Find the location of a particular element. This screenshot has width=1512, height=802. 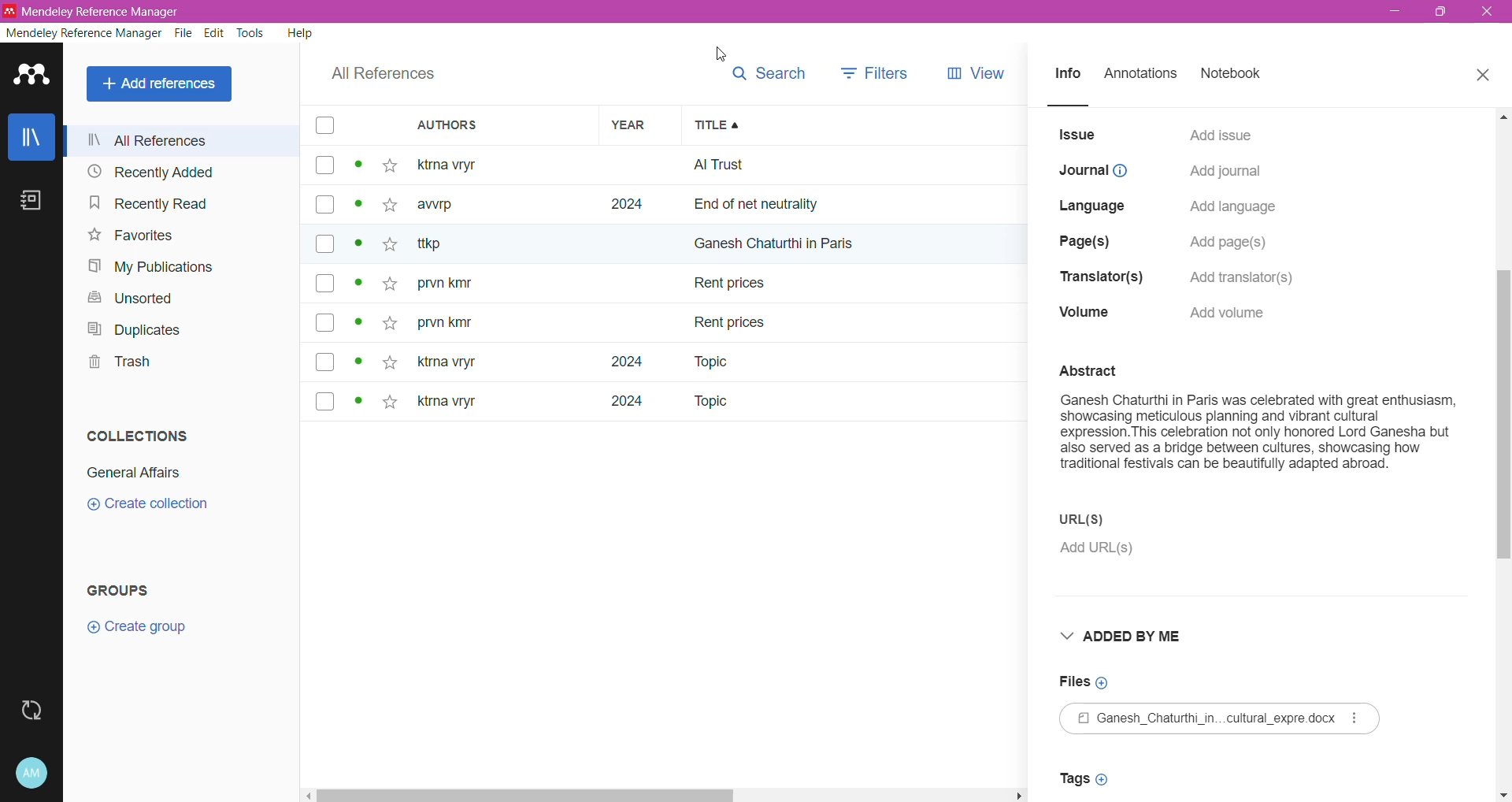

Abstract of the selected reference is located at coordinates (1258, 427).